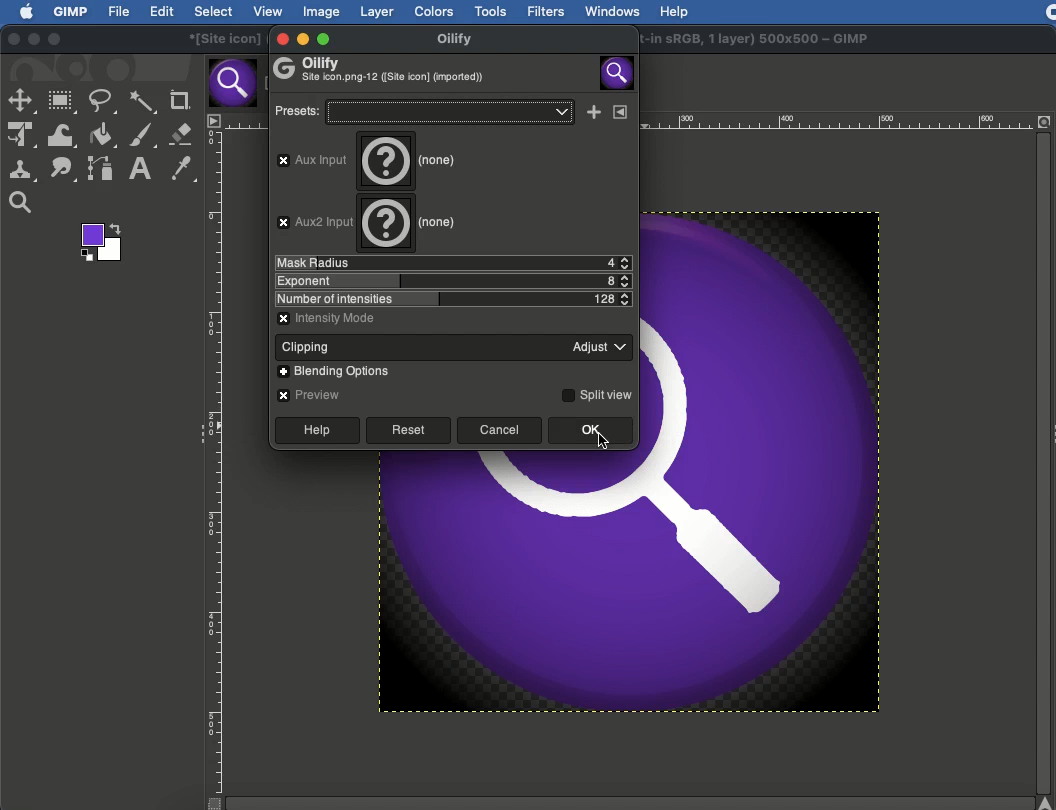  What do you see at coordinates (13, 38) in the screenshot?
I see `Close` at bounding box center [13, 38].